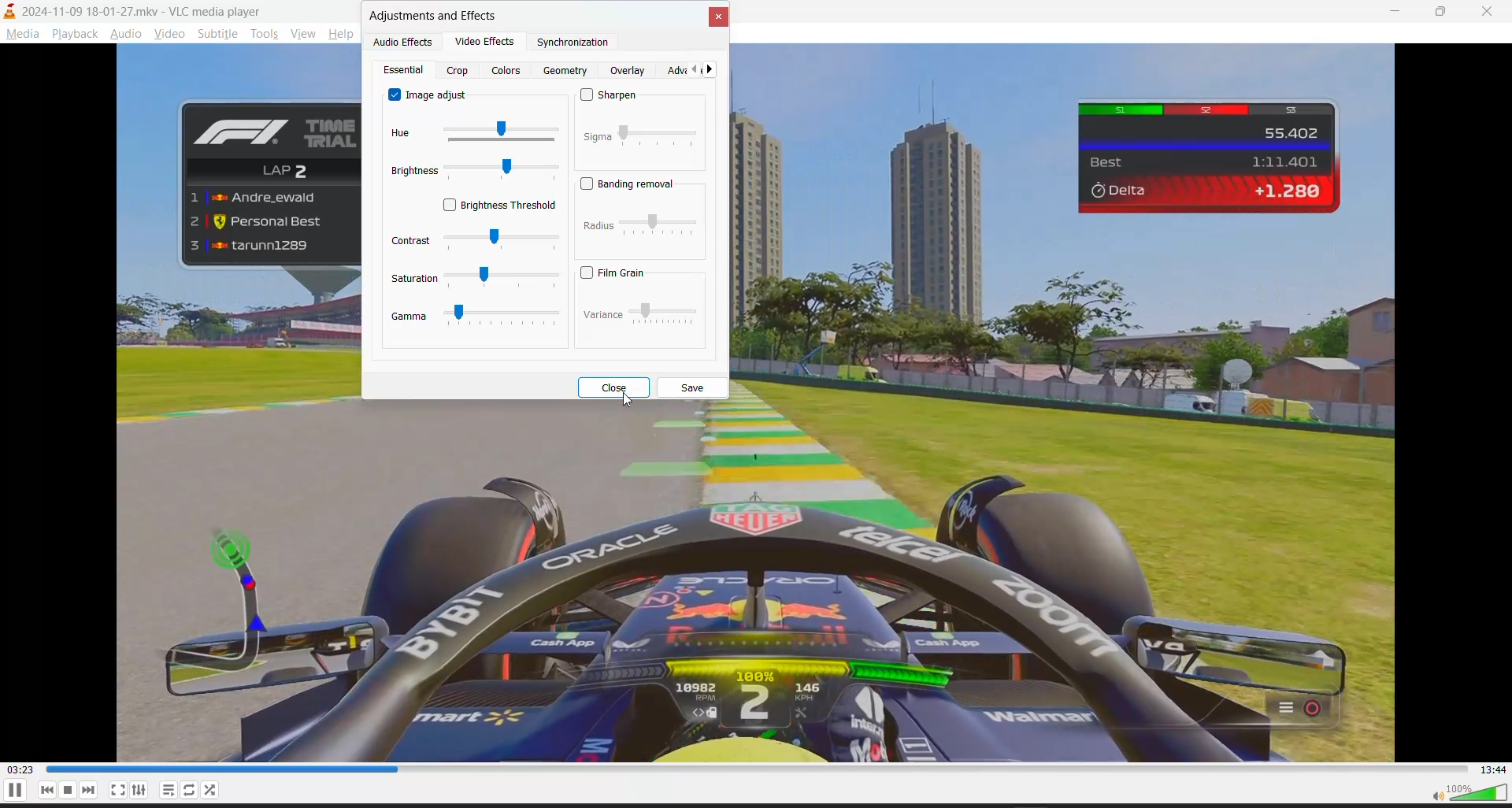 The image size is (1512, 808). Describe the element at coordinates (169, 790) in the screenshot. I see `playlist` at that location.